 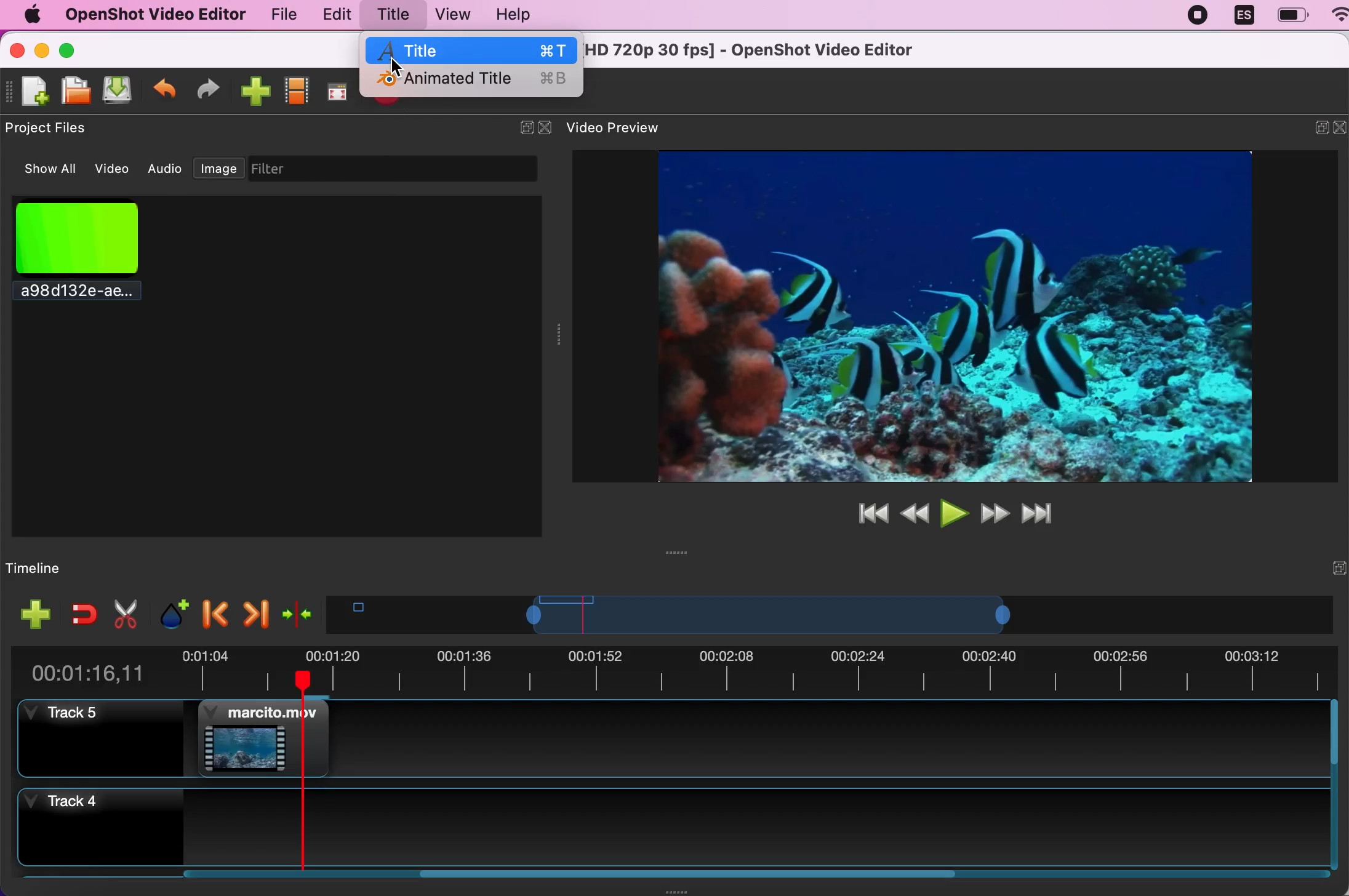 What do you see at coordinates (77, 91) in the screenshot?
I see `open file` at bounding box center [77, 91].